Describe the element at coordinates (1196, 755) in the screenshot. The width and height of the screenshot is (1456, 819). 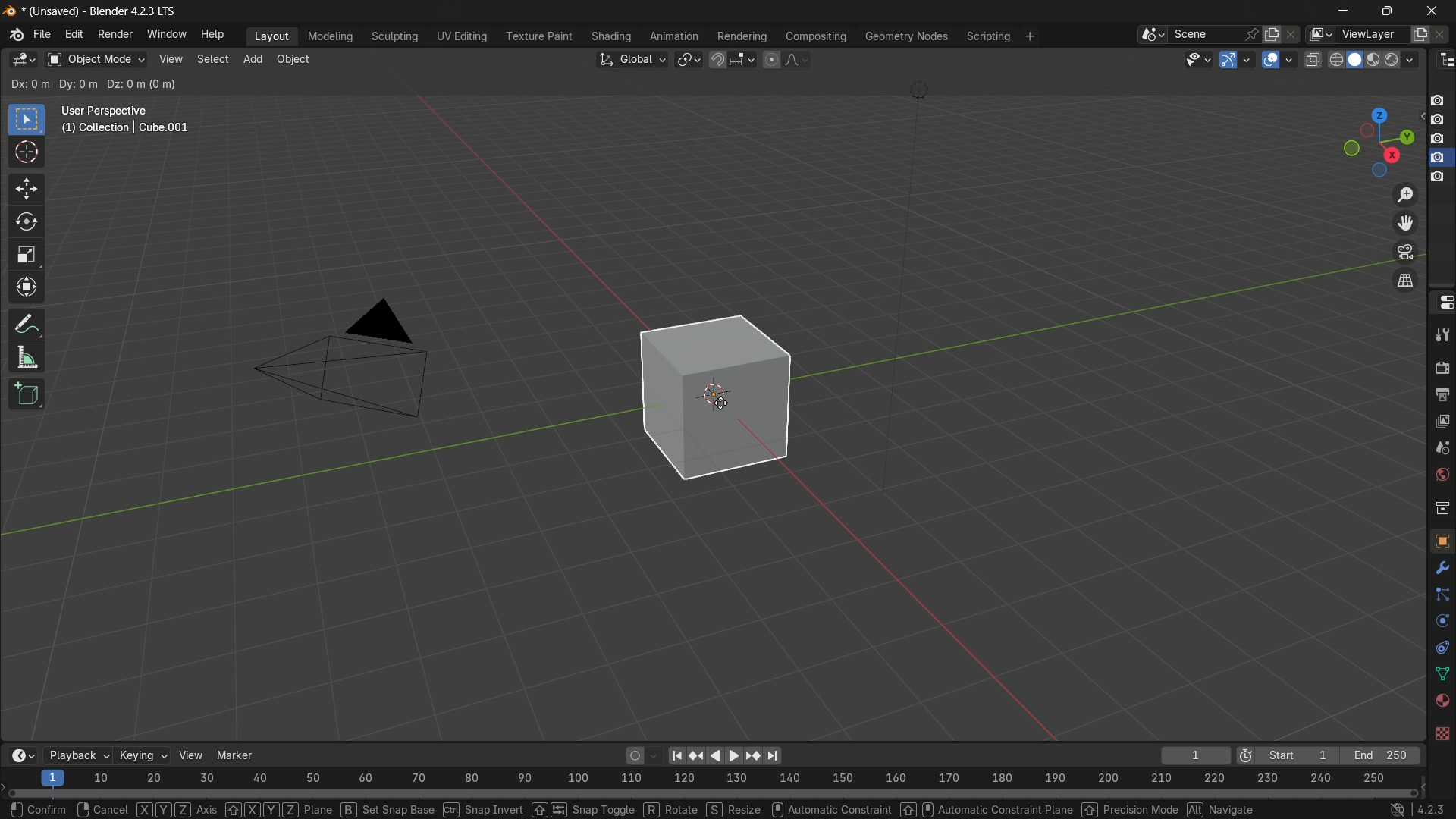
I see `current keyframe` at that location.